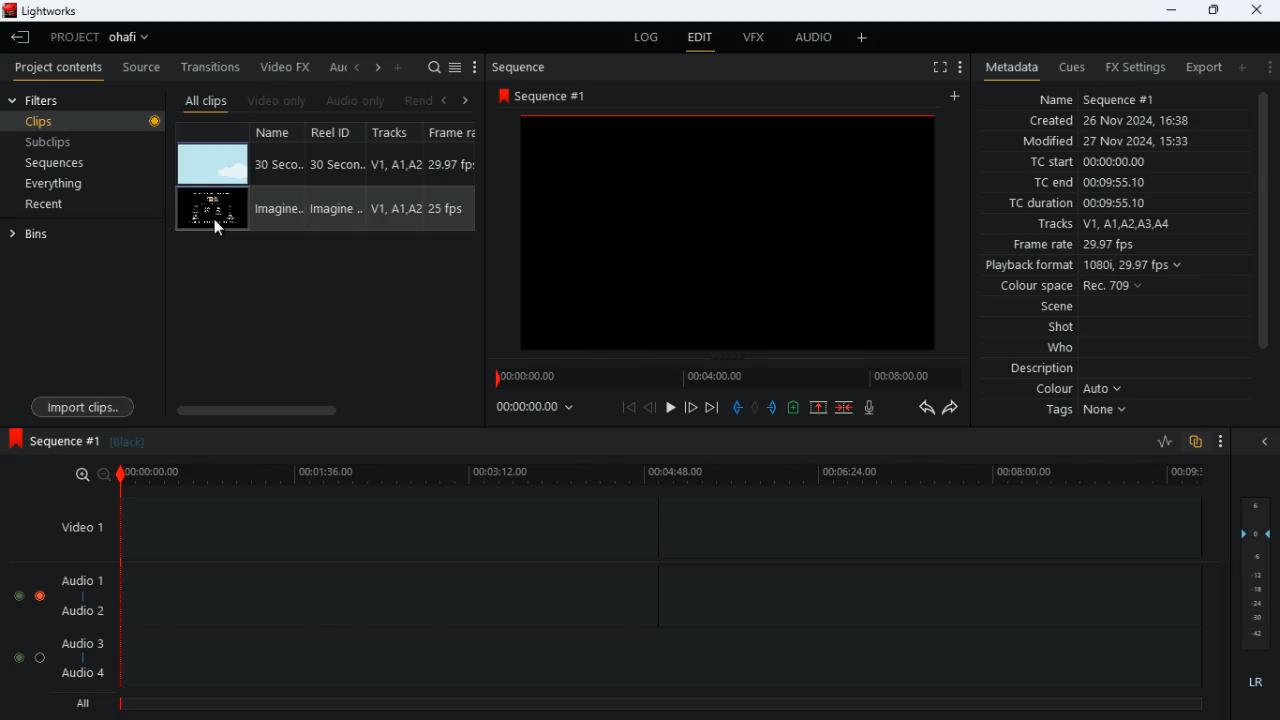 This screenshot has width=1280, height=720. Describe the element at coordinates (450, 209) in the screenshot. I see `Frame Rate` at that location.